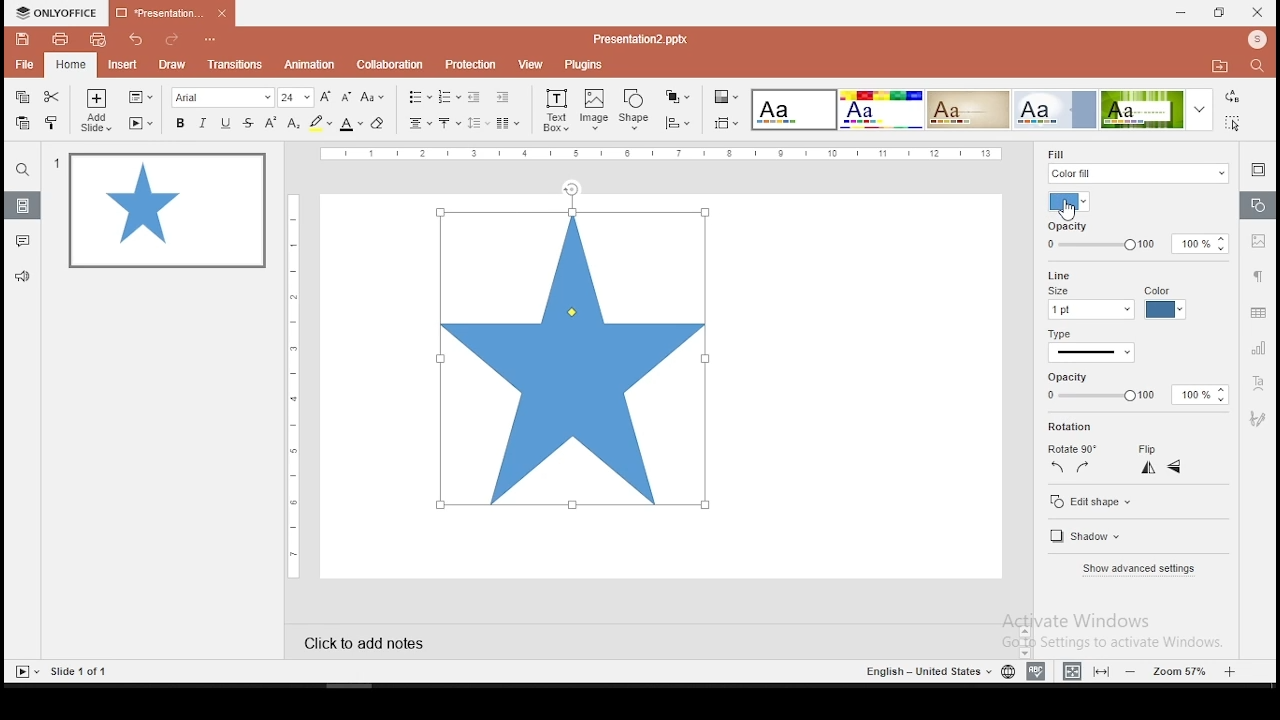 The height and width of the screenshot is (720, 1280). I want to click on protection, so click(468, 65).